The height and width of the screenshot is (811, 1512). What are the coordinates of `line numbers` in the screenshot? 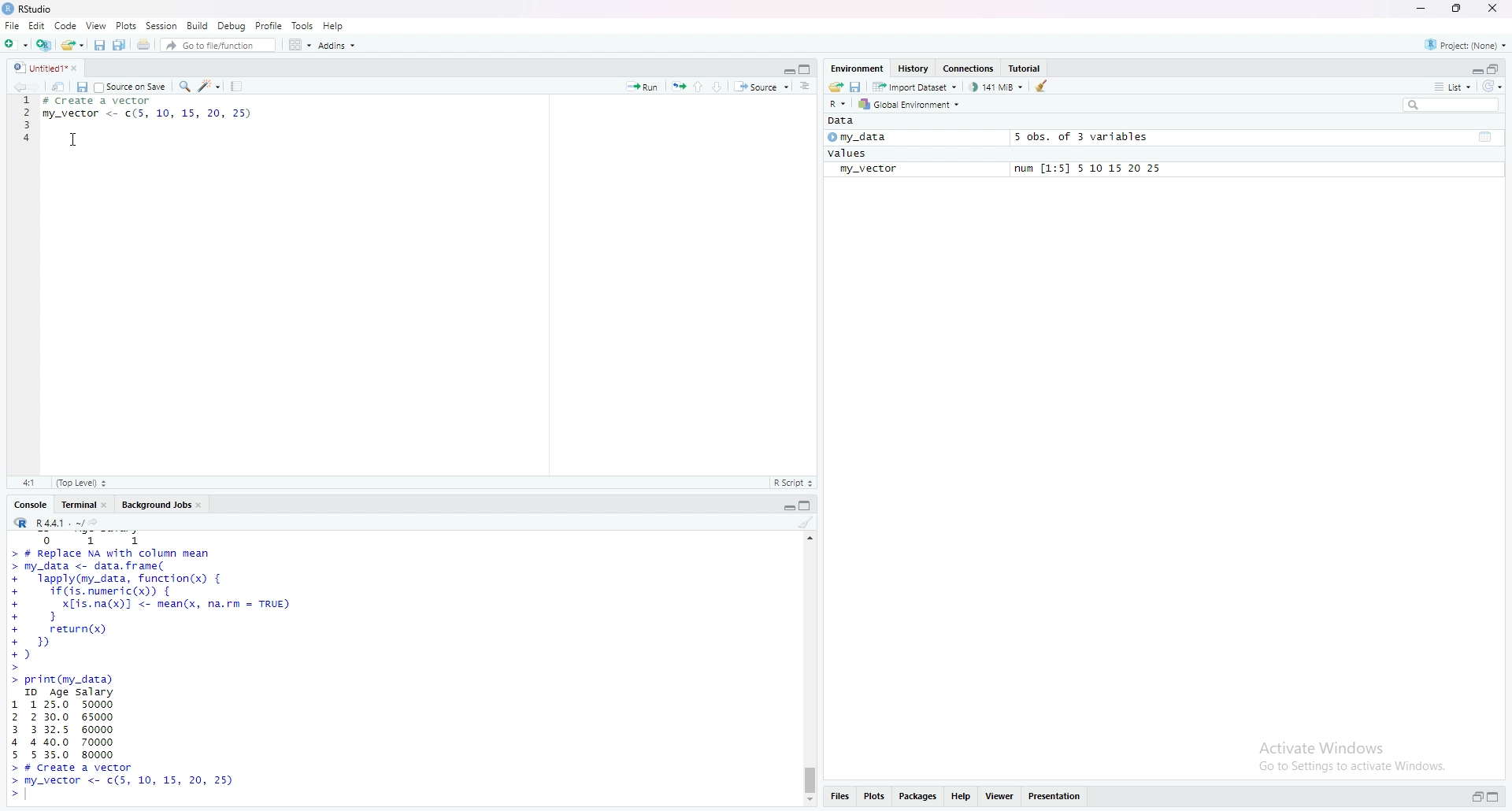 It's located at (23, 131).